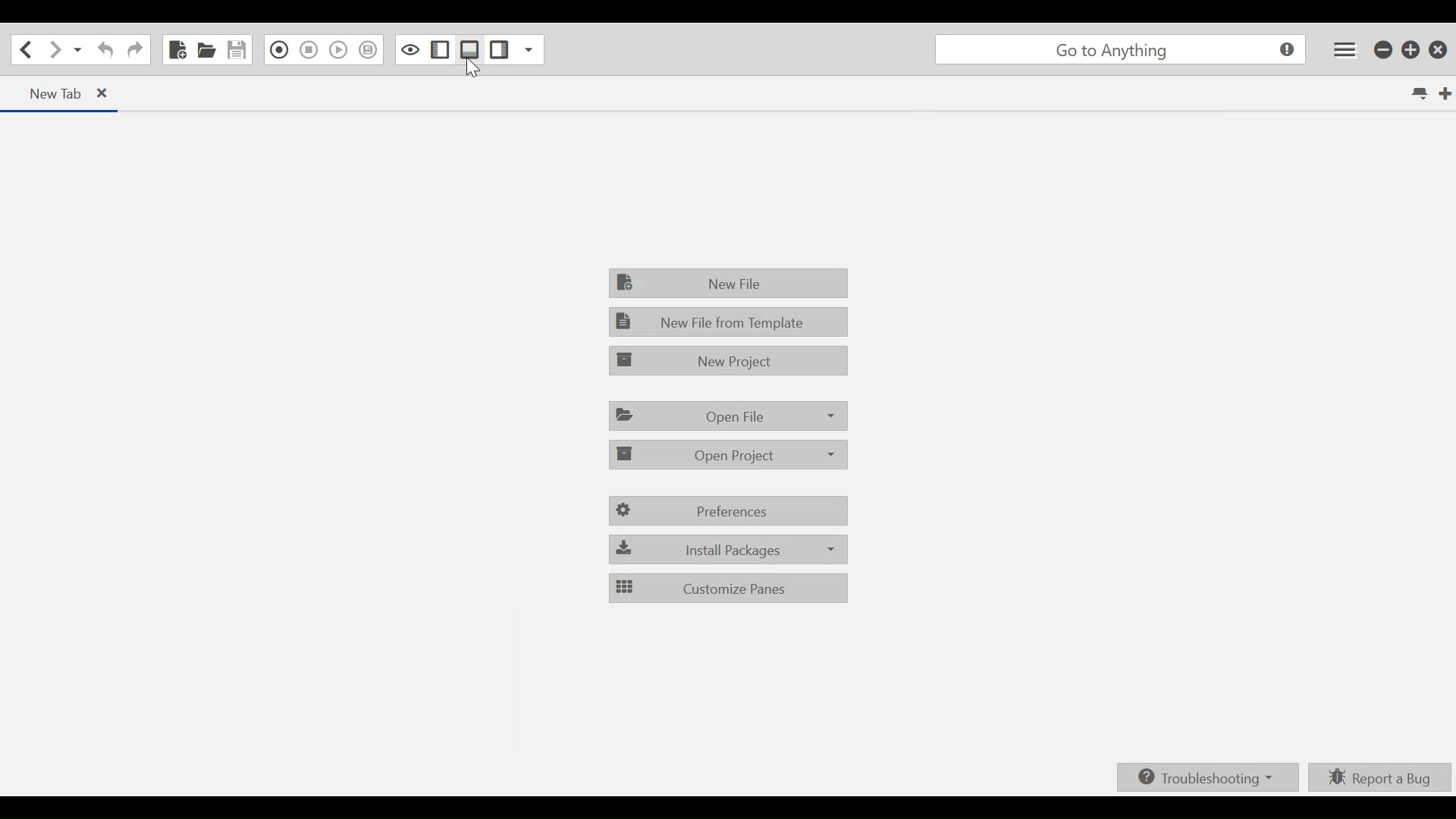 This screenshot has height=819, width=1456. I want to click on Go back one location, so click(26, 48).